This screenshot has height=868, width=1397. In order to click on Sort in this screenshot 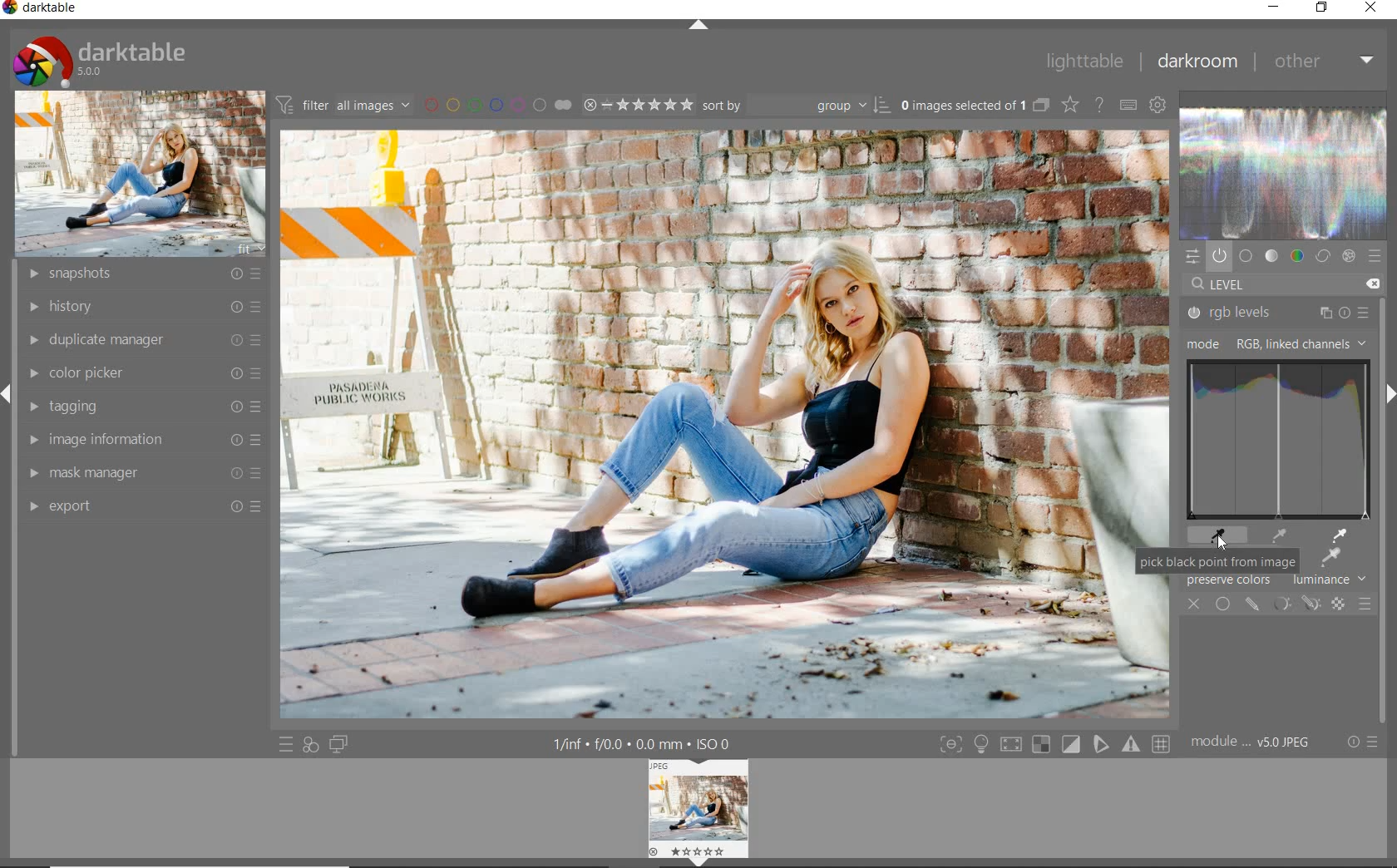, I will do `click(797, 106)`.